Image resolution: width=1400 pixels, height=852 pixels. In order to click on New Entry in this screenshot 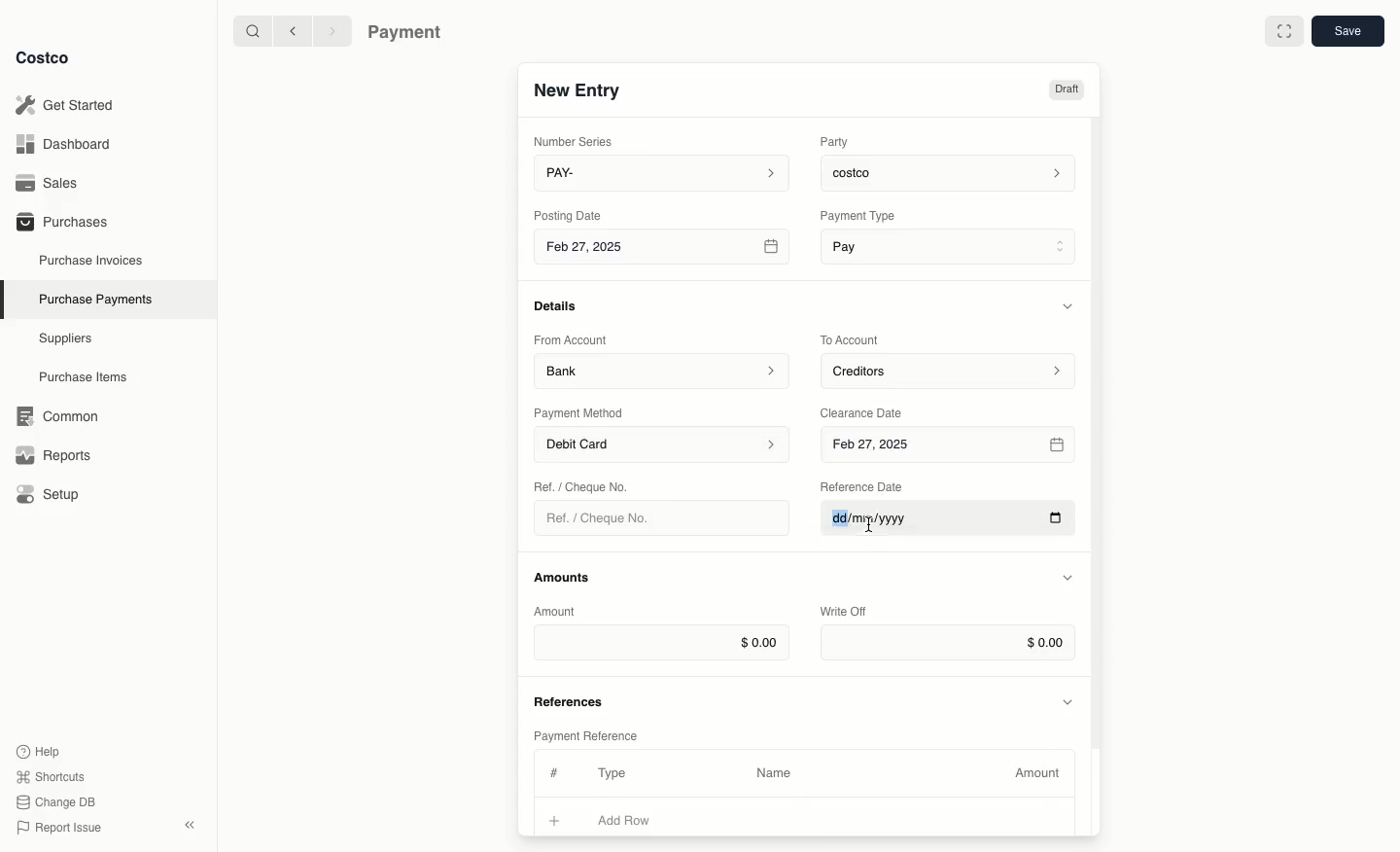, I will do `click(578, 89)`.